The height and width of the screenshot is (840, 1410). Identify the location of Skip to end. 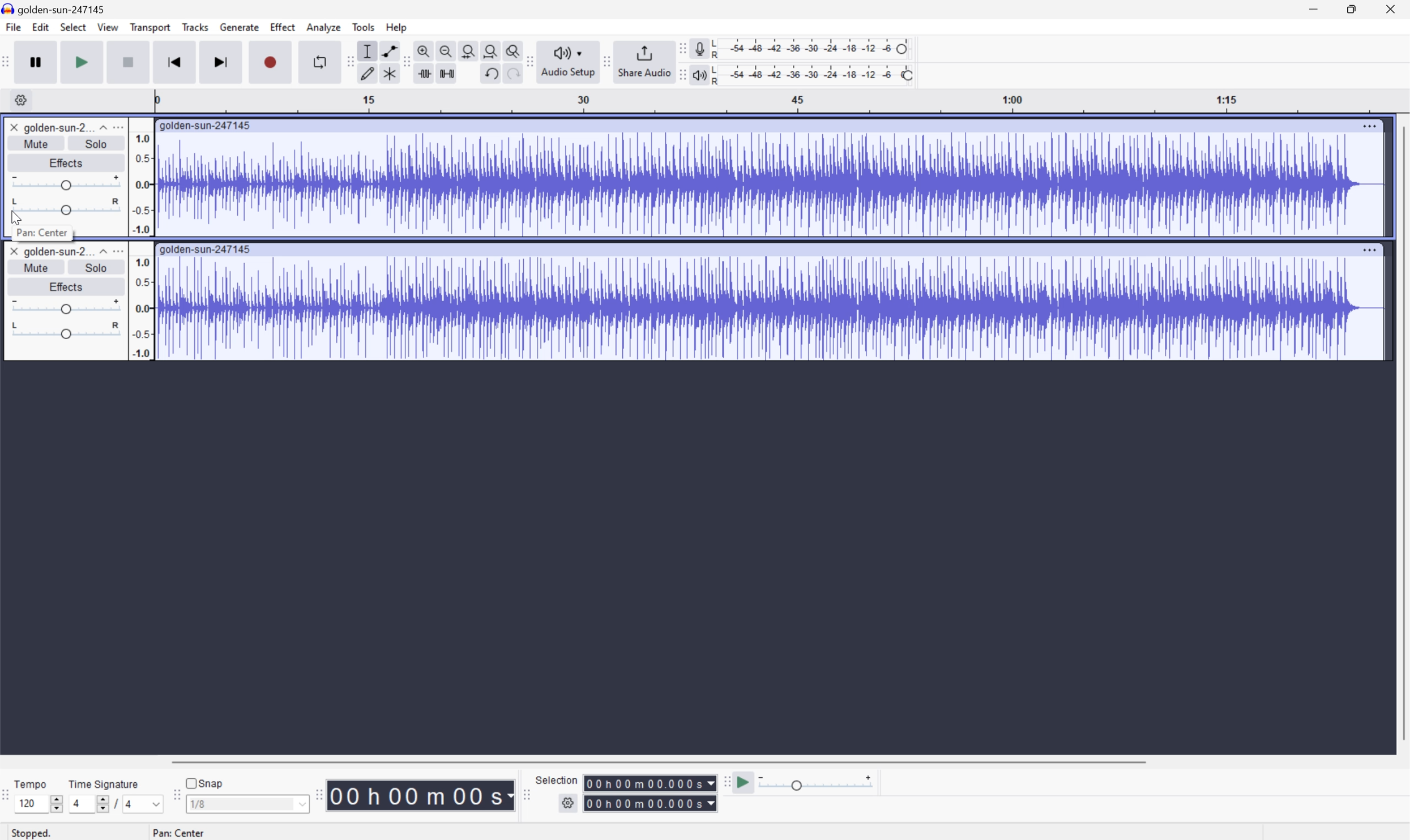
(223, 60).